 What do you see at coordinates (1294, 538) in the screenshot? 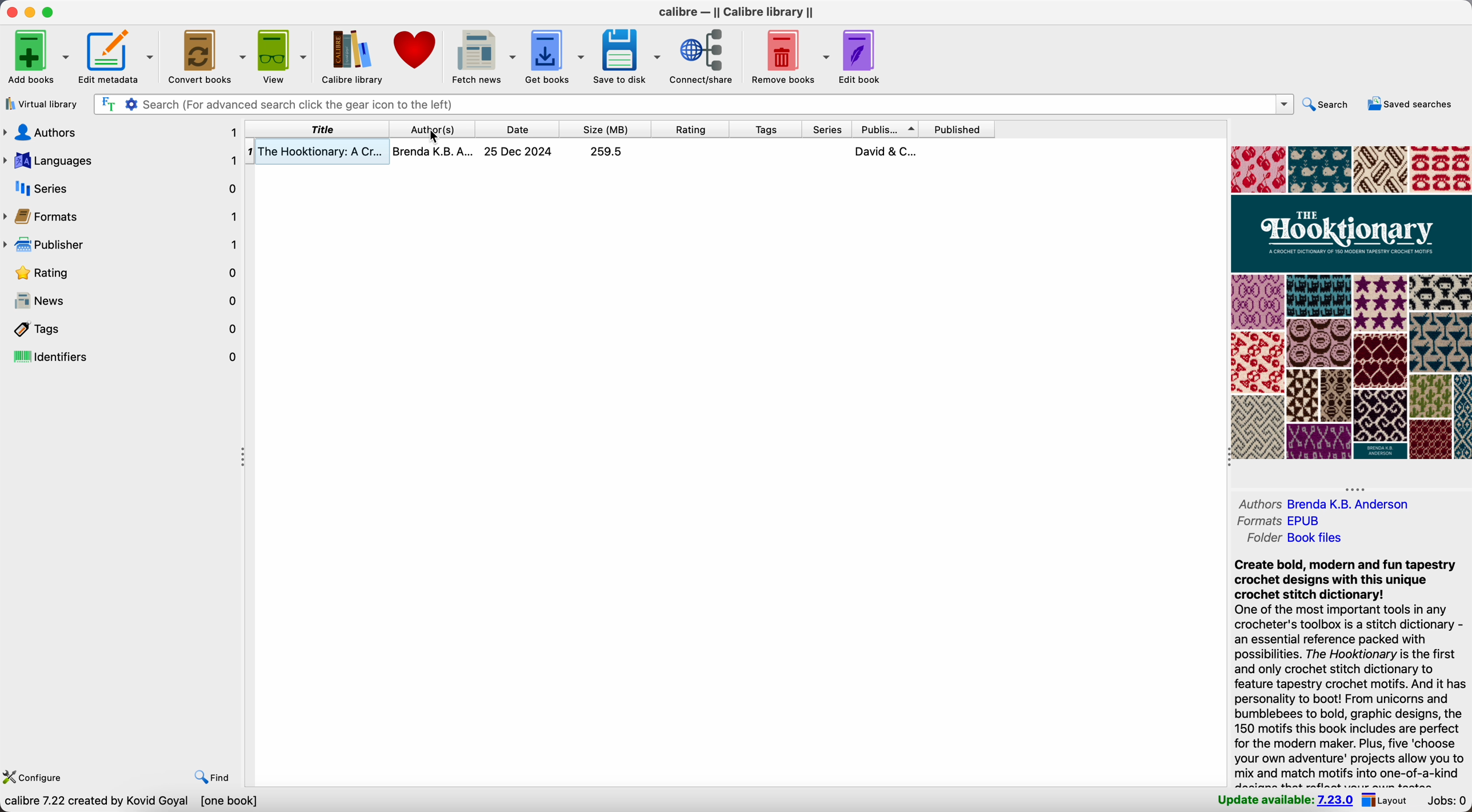
I see `folder` at bounding box center [1294, 538].